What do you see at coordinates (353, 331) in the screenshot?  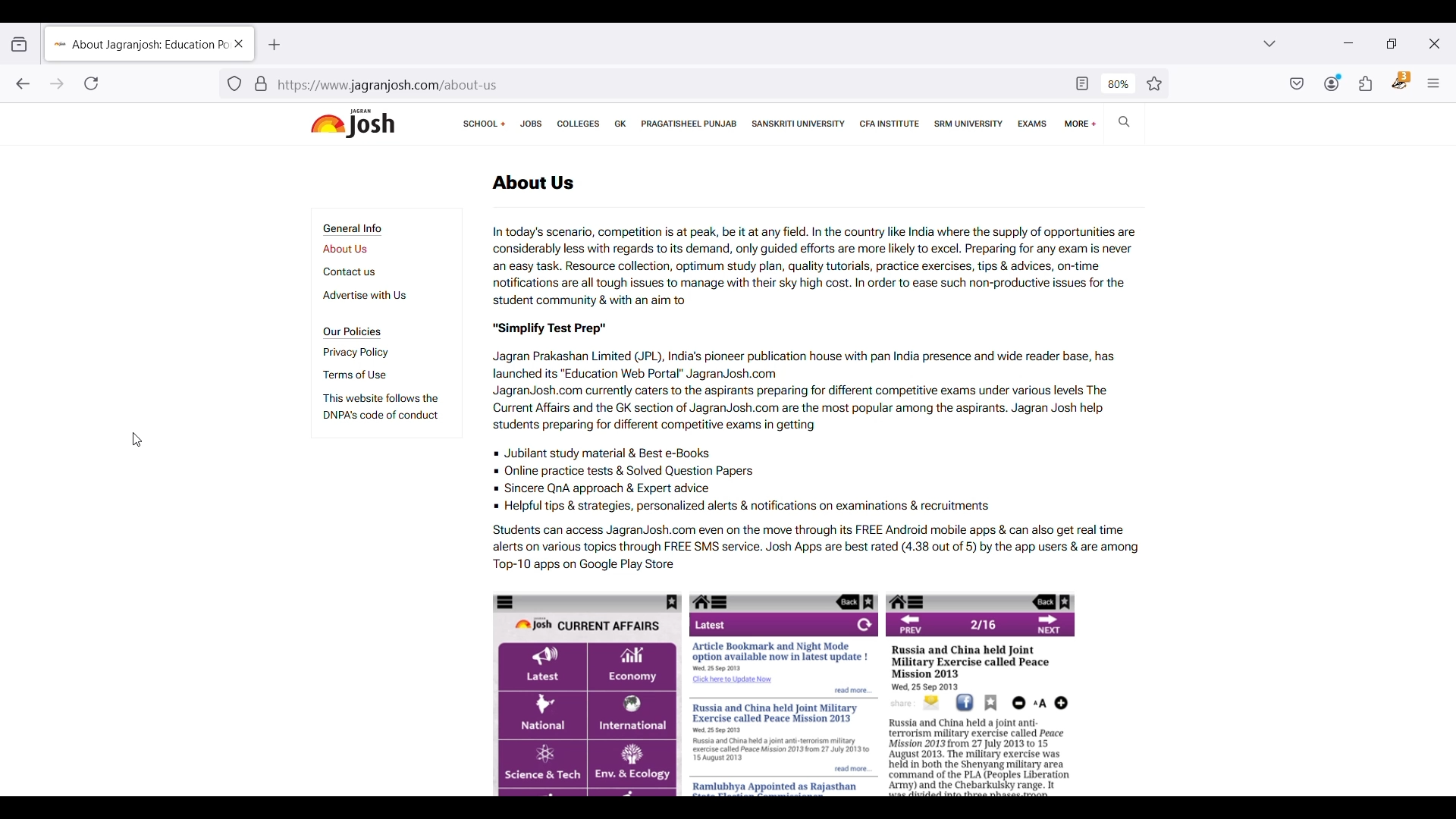 I see `Section title - Our Policies` at bounding box center [353, 331].